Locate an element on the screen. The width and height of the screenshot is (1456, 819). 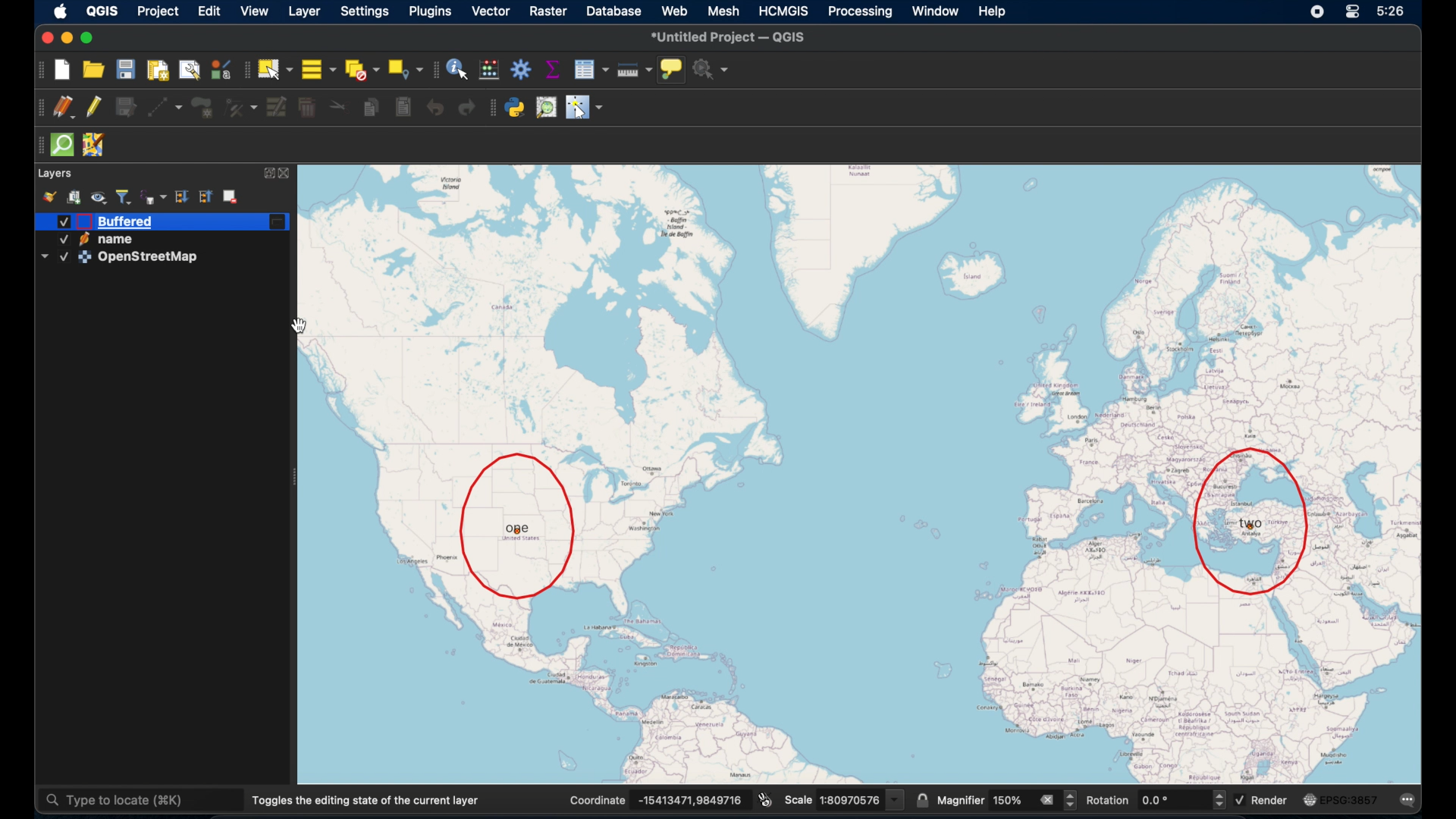
style manager is located at coordinates (221, 68).